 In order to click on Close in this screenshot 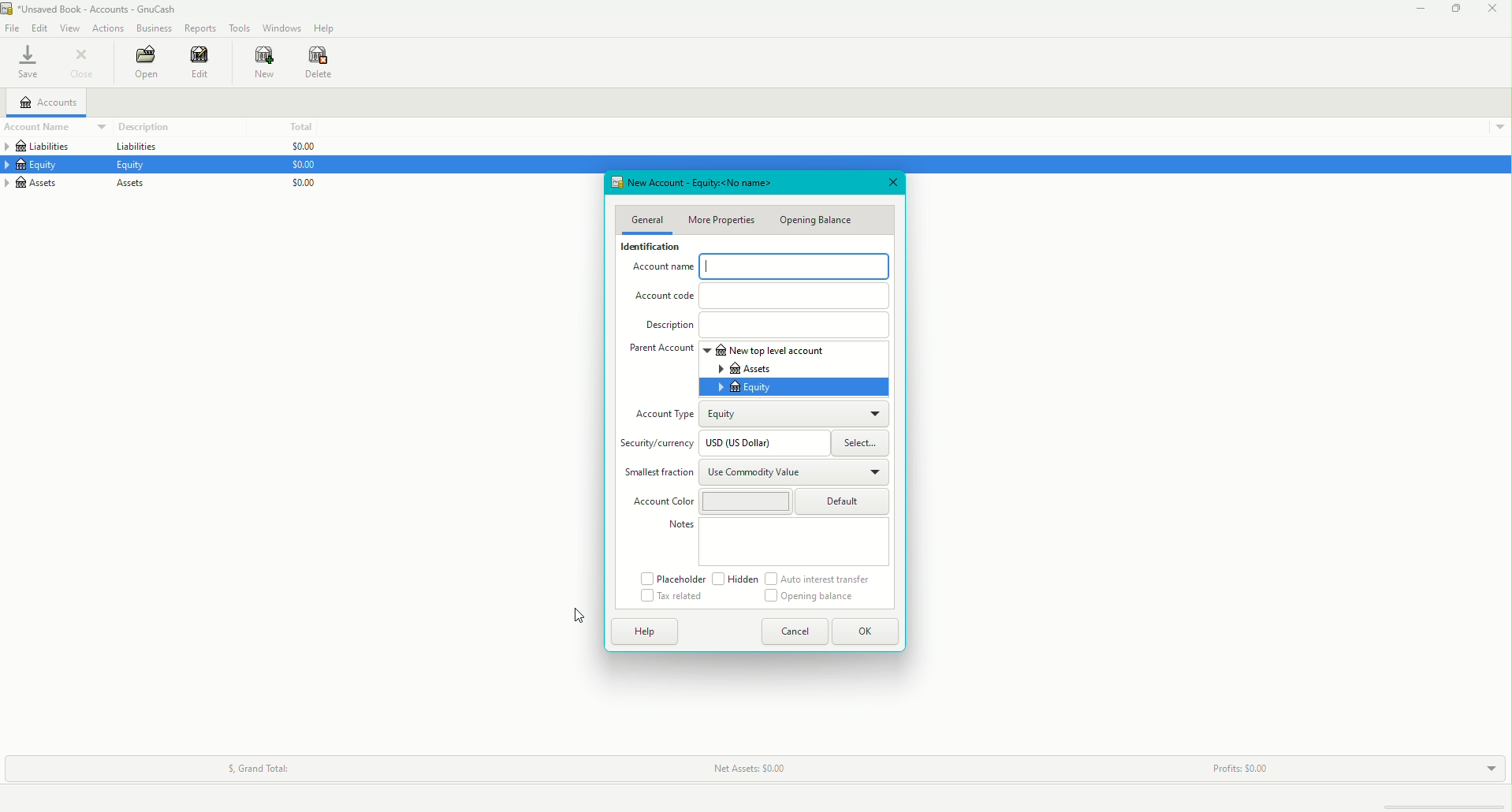, I will do `click(1494, 10)`.